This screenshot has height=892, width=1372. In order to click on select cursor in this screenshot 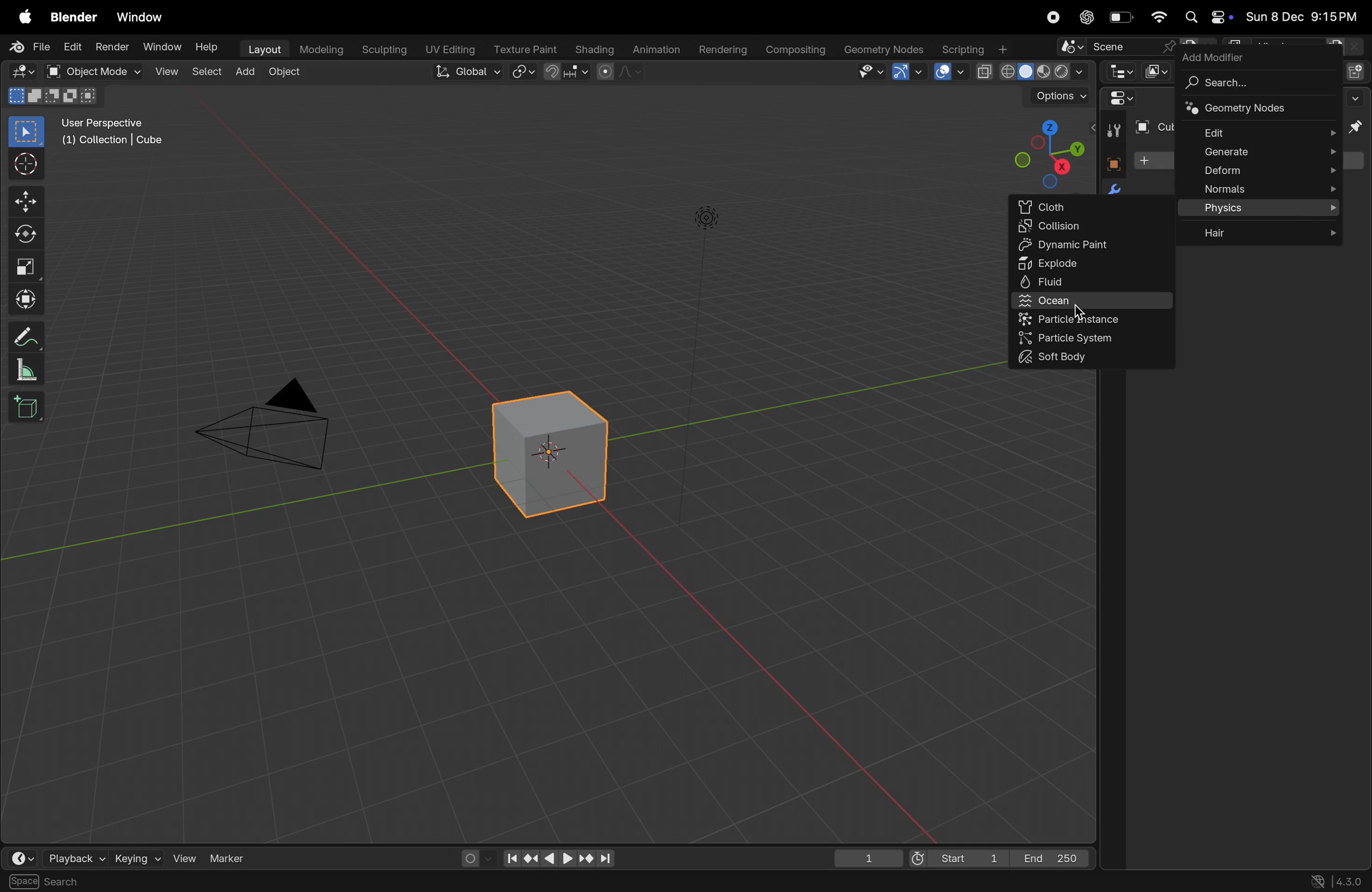, I will do `click(26, 167)`.